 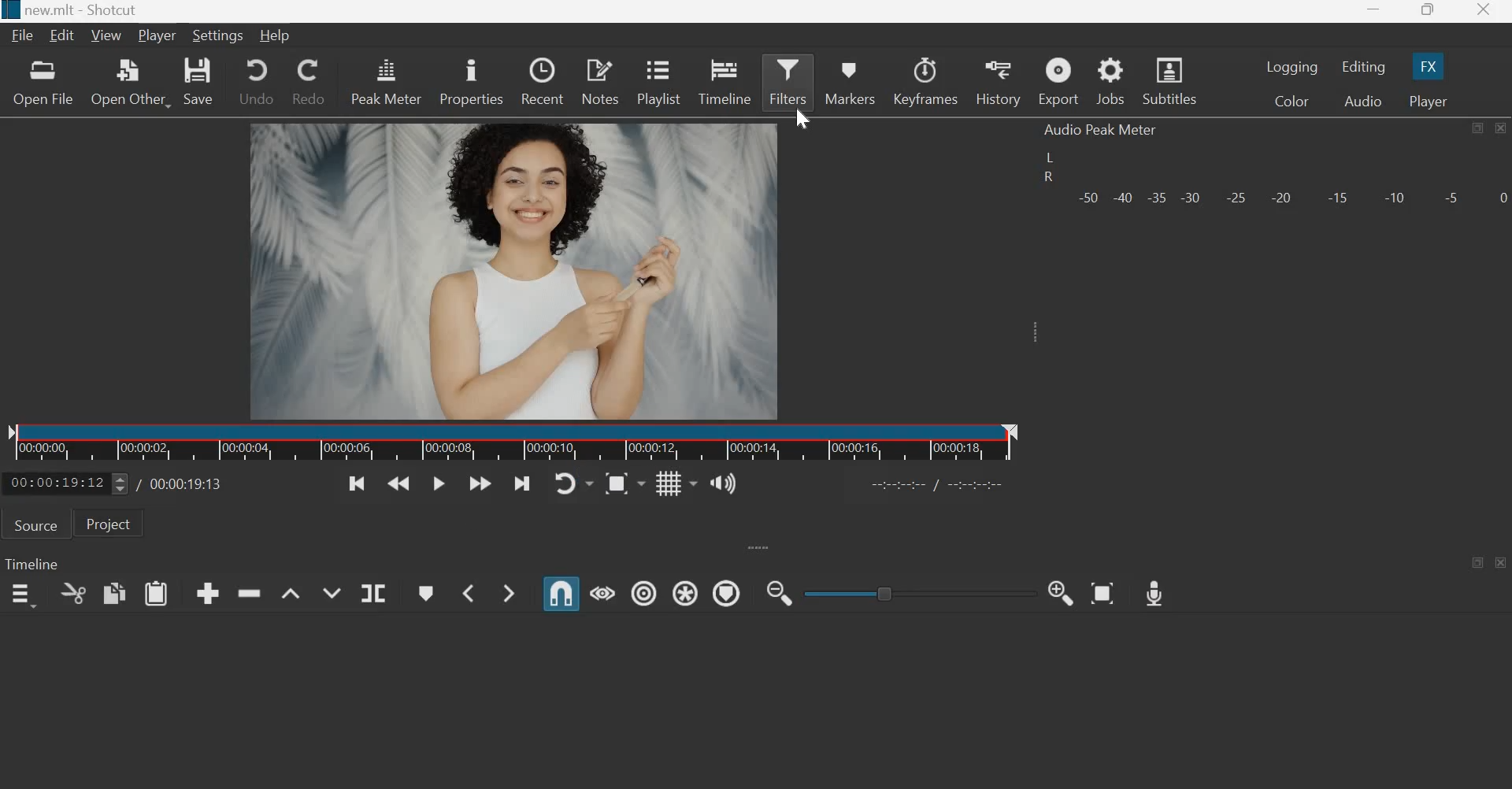 I want to click on Play quickly backwards, so click(x=399, y=482).